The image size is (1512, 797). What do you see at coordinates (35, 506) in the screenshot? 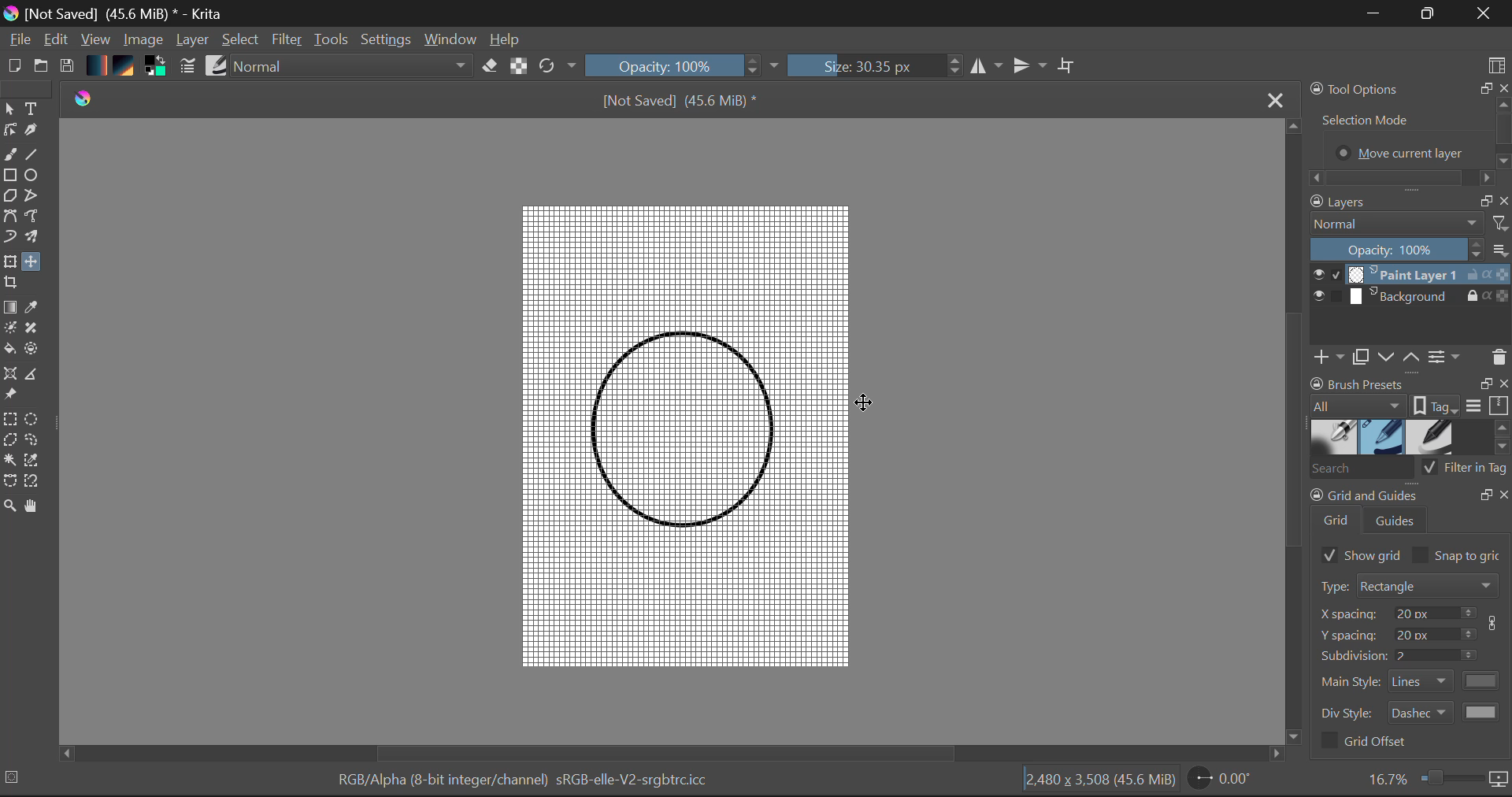
I see `Pan` at bounding box center [35, 506].